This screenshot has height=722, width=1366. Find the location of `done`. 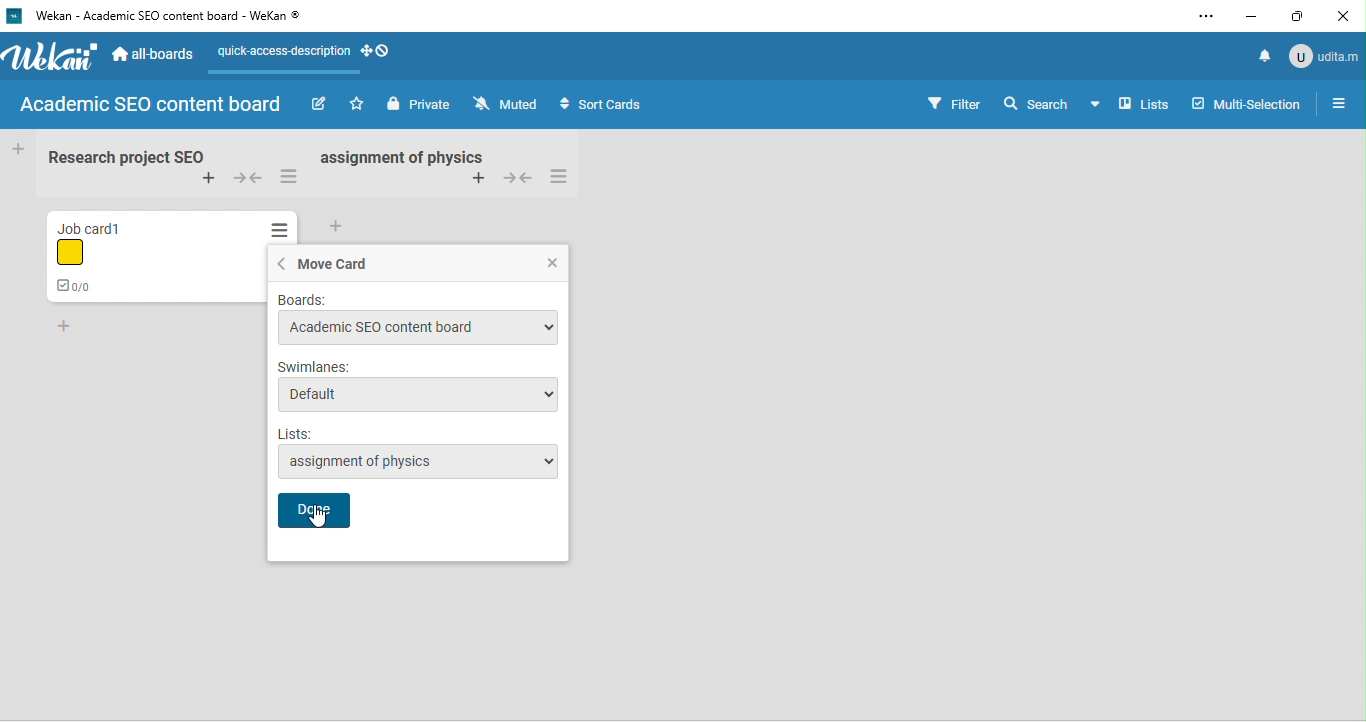

done is located at coordinates (314, 511).